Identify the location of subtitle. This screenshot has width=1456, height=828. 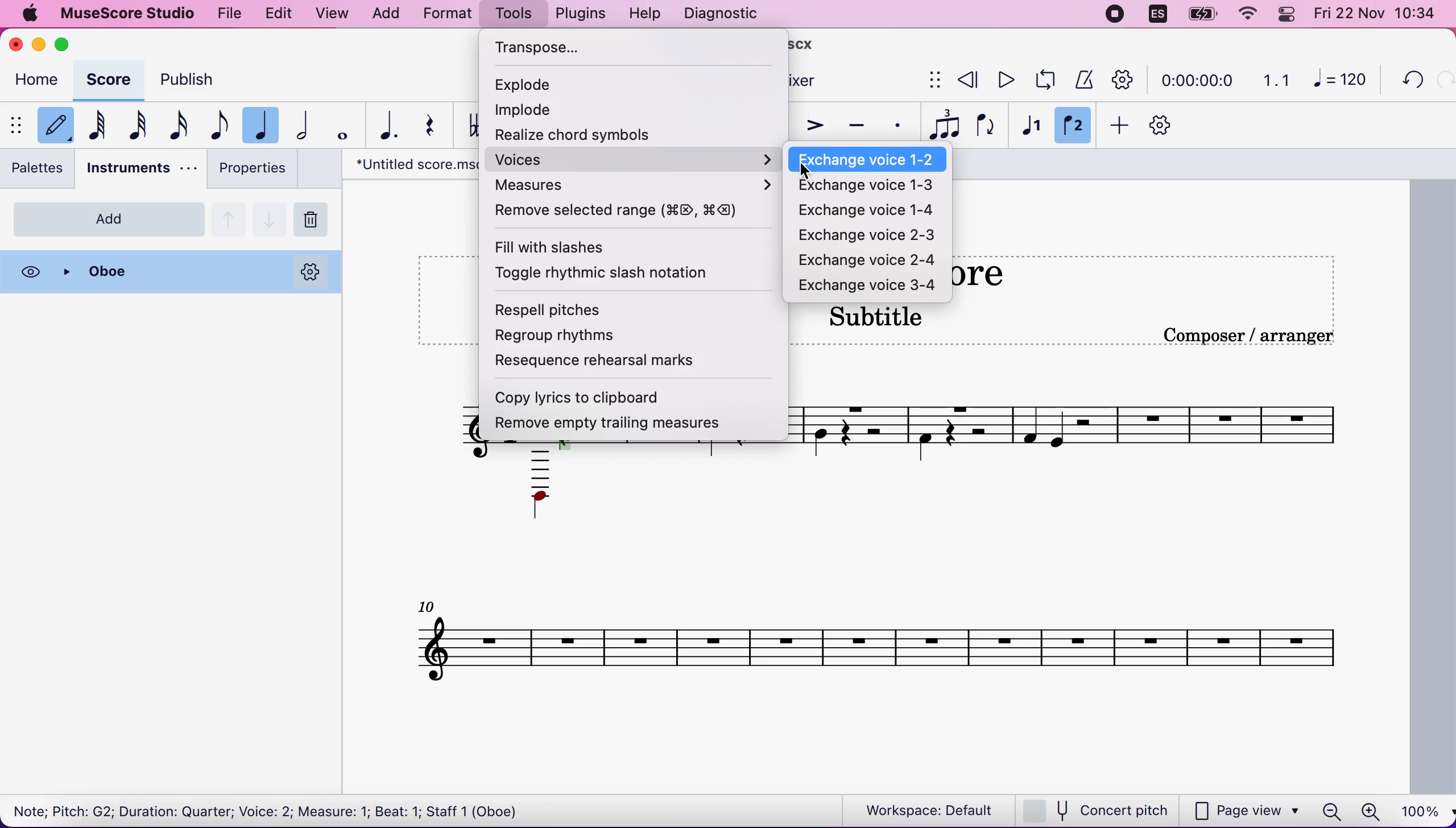
(883, 319).